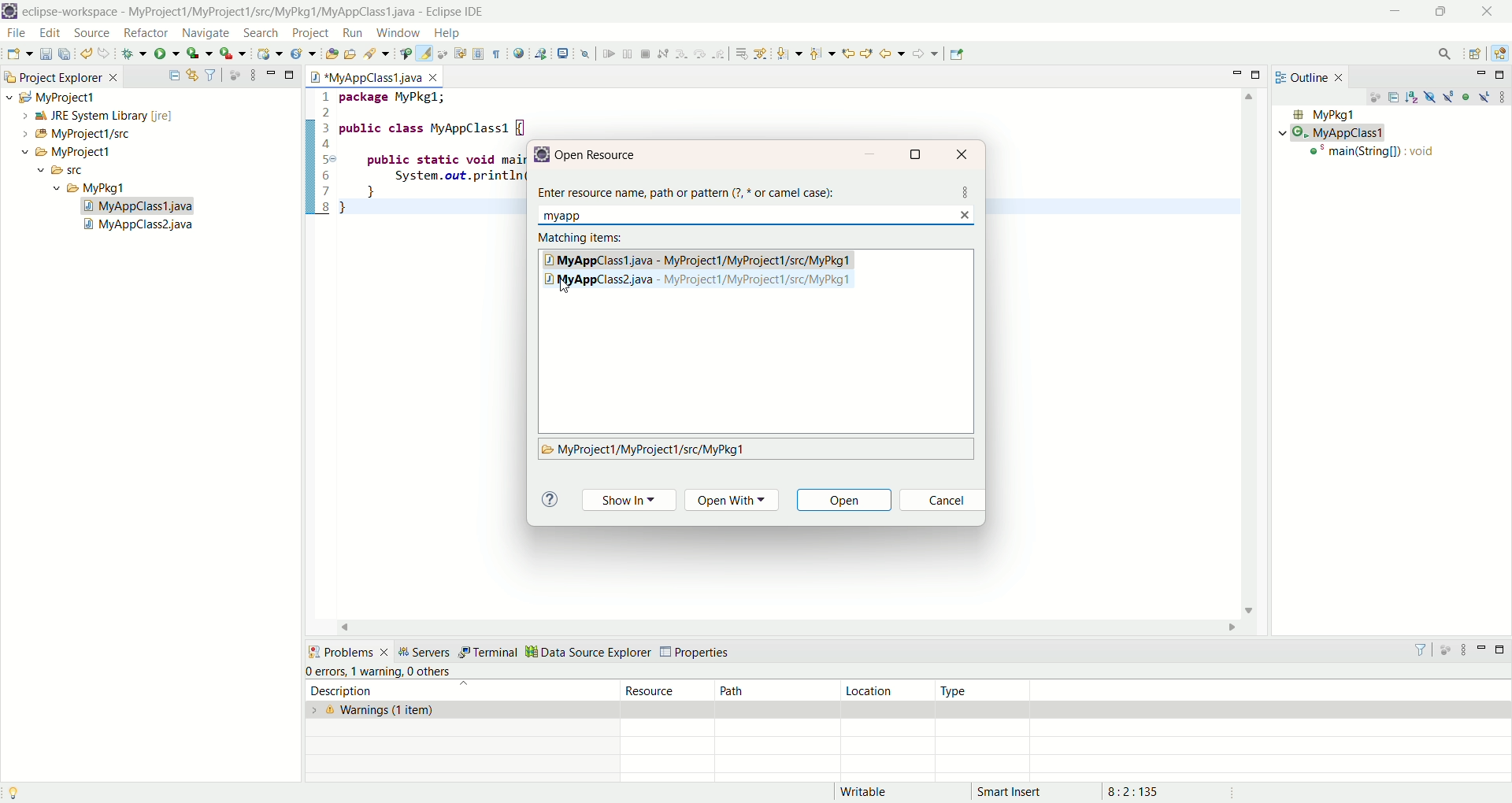 The width and height of the screenshot is (1512, 803). I want to click on maximize, so click(917, 154).